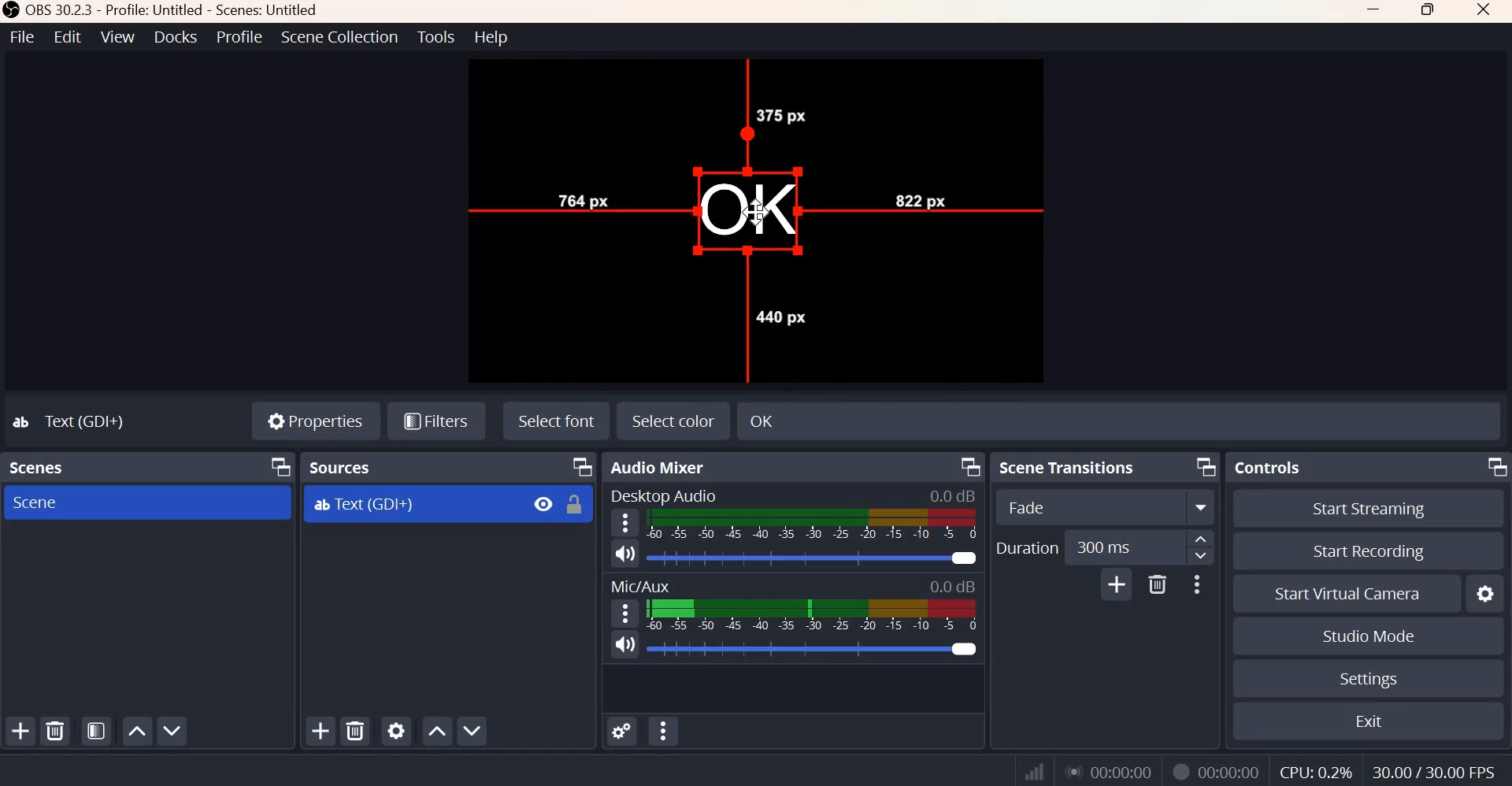  Describe the element at coordinates (1117, 584) in the screenshot. I see `Add Transition` at that location.